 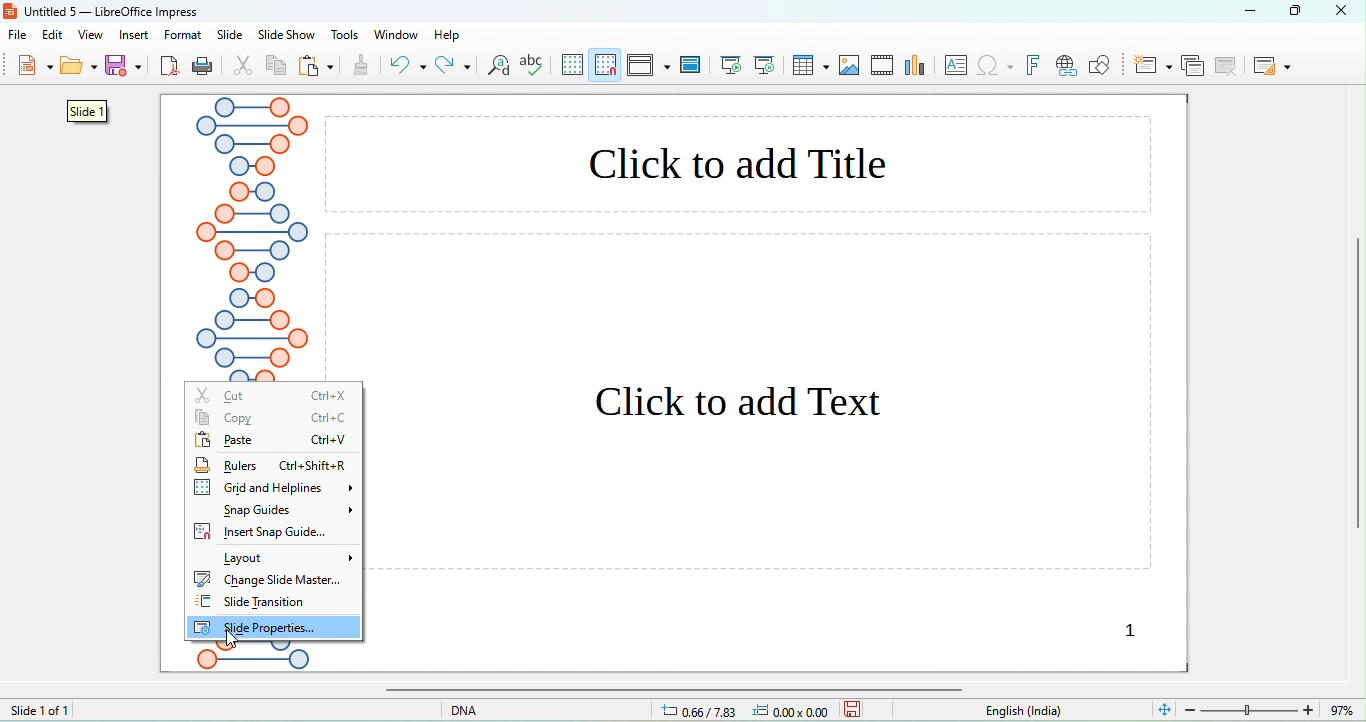 I want to click on English , so click(x=1035, y=711).